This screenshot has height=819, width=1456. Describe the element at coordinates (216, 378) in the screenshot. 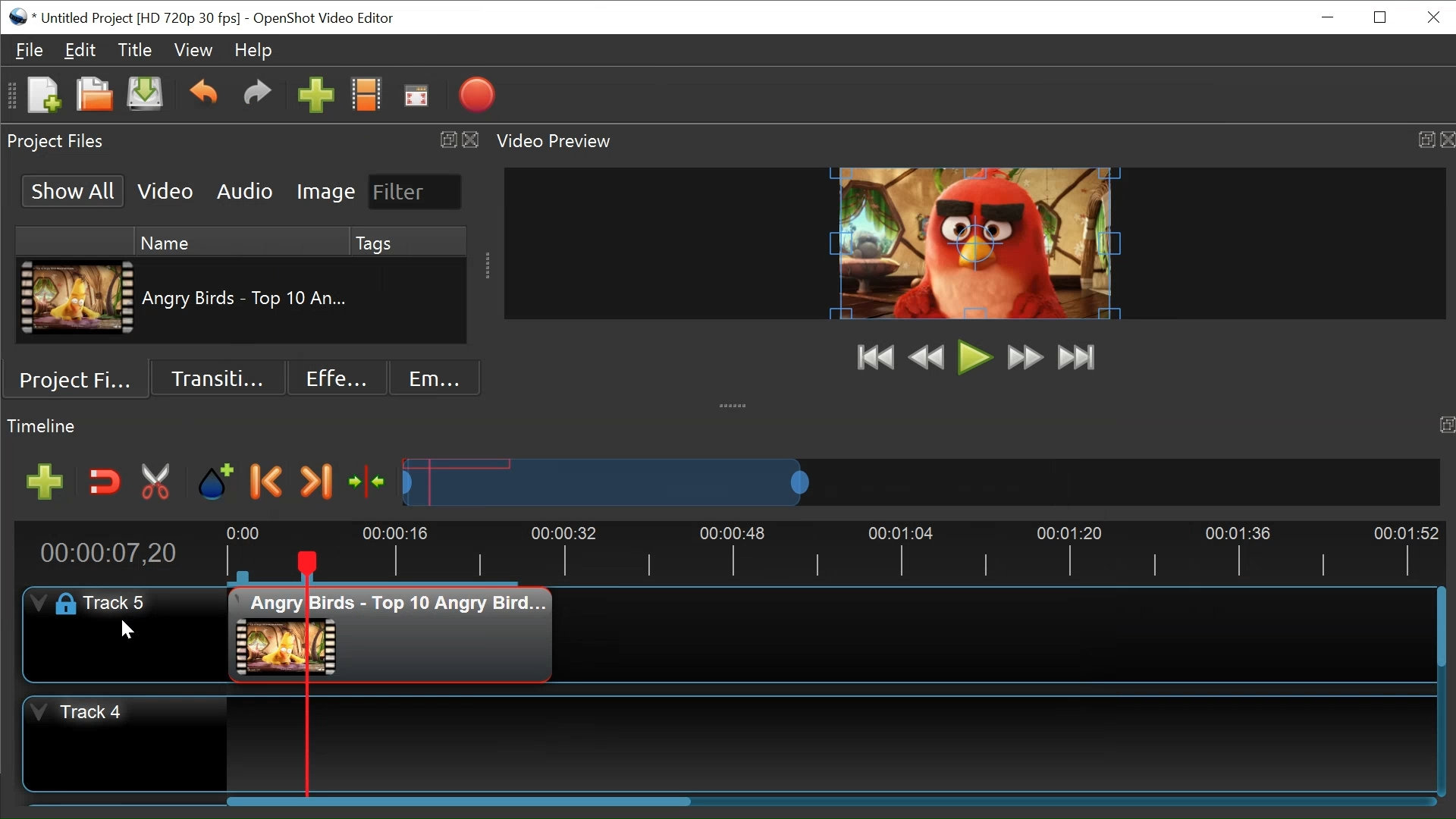

I see `Transition` at that location.